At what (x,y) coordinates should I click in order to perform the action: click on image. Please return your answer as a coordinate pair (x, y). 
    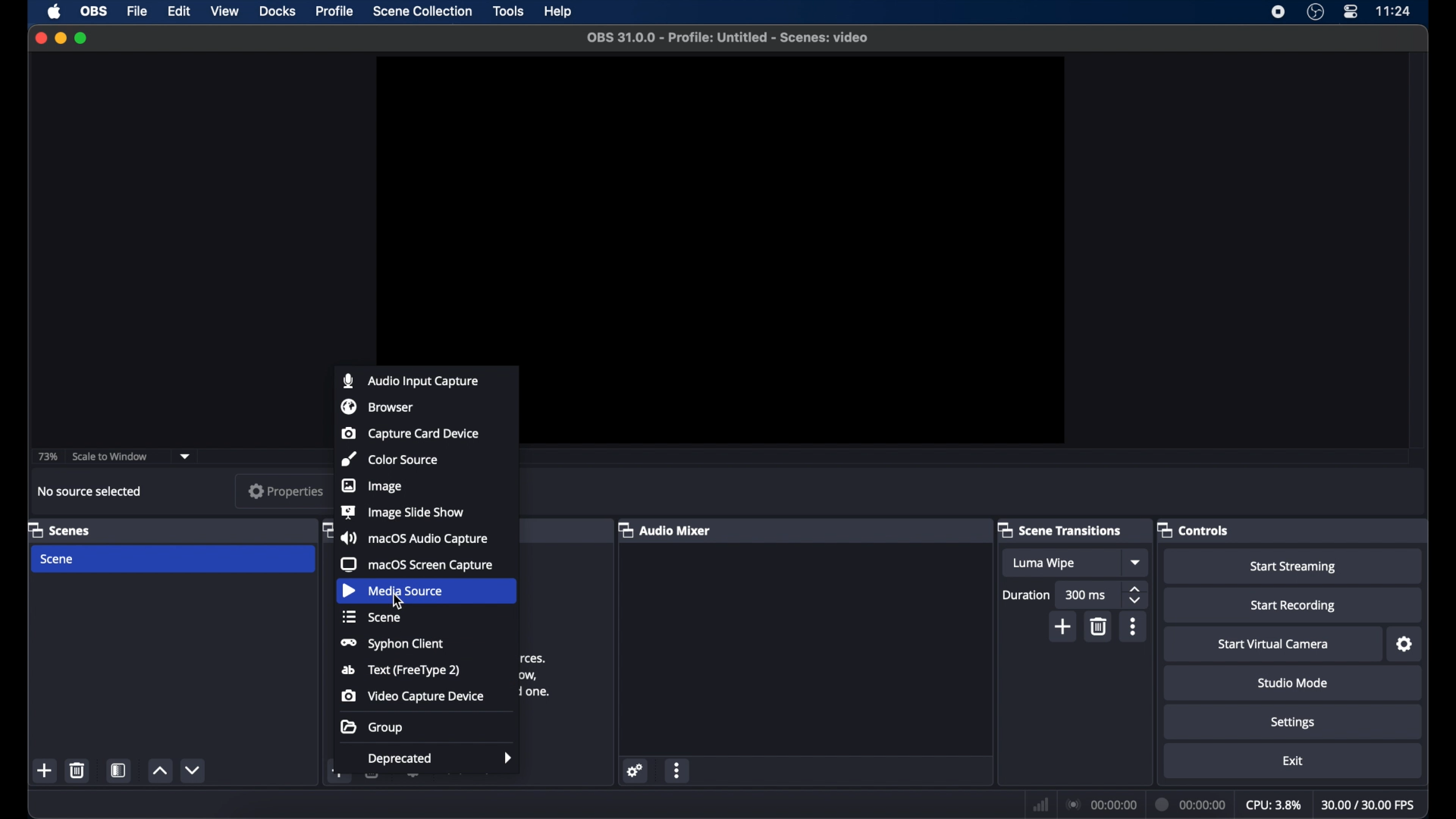
    Looking at the image, I should click on (373, 485).